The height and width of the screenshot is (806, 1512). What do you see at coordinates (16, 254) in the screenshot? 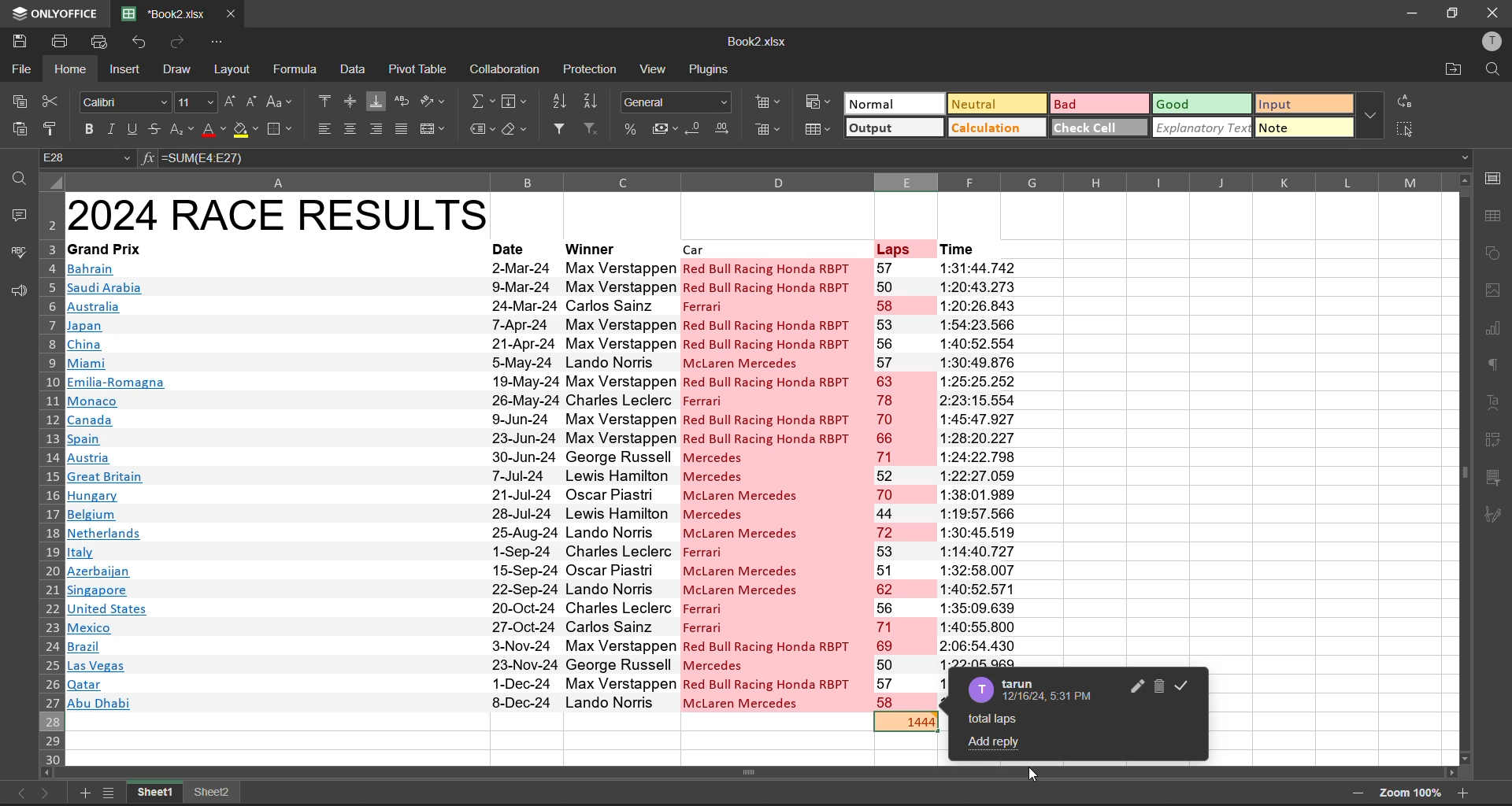
I see `spellcheck` at bounding box center [16, 254].